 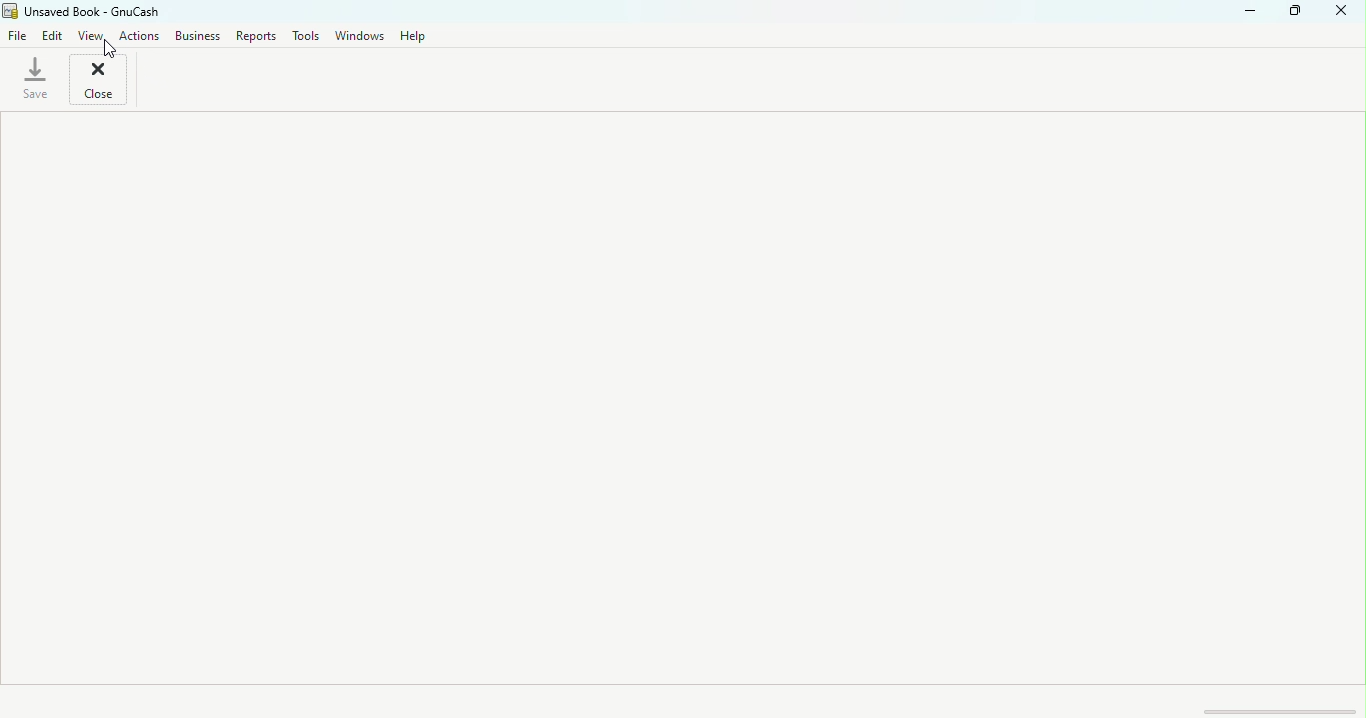 I want to click on Actions, so click(x=144, y=40).